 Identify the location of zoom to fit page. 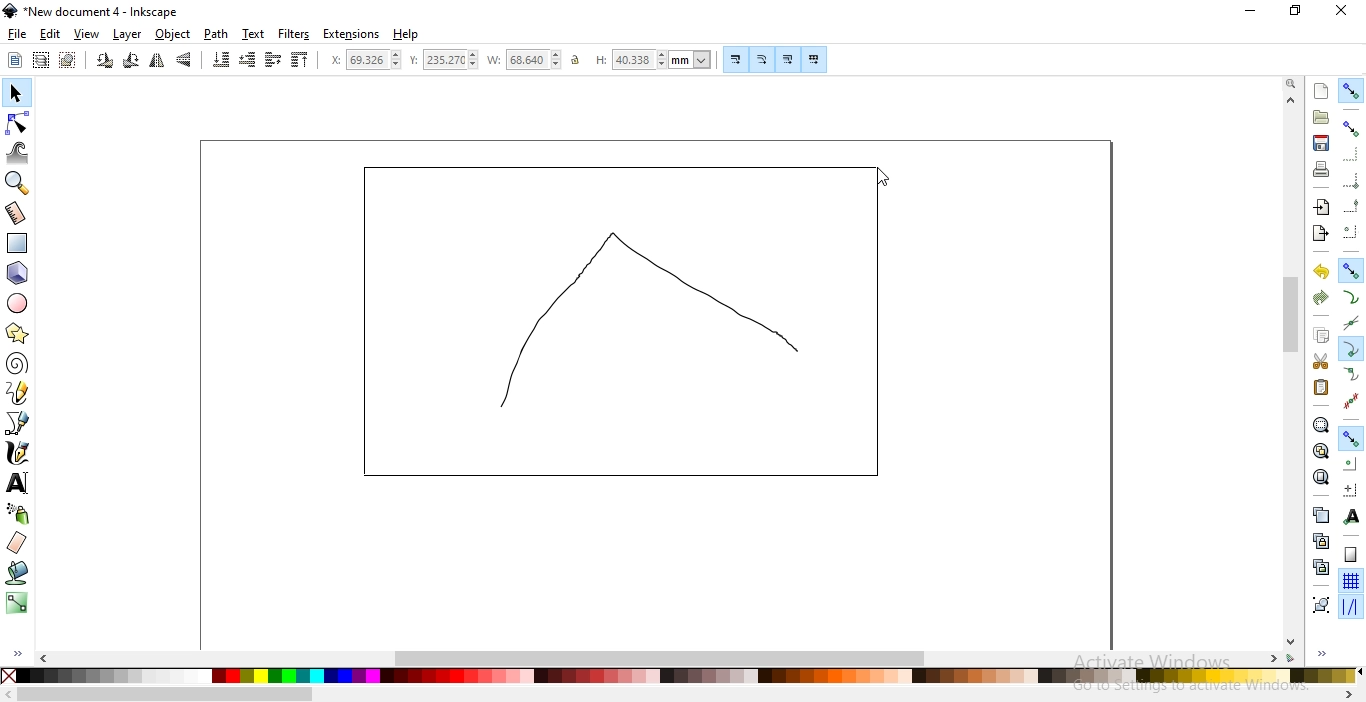
(1320, 477).